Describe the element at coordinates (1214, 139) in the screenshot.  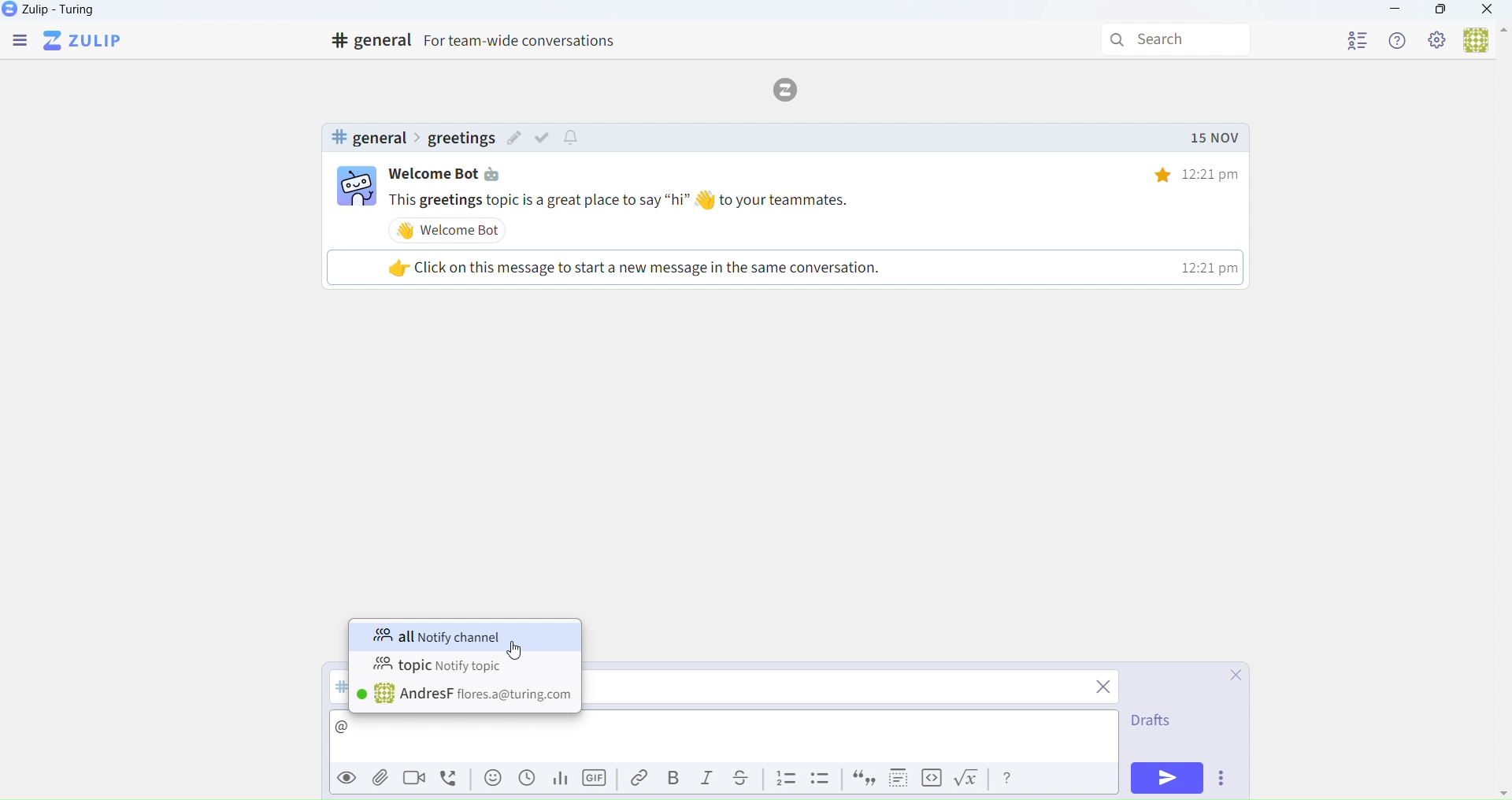
I see `date` at that location.